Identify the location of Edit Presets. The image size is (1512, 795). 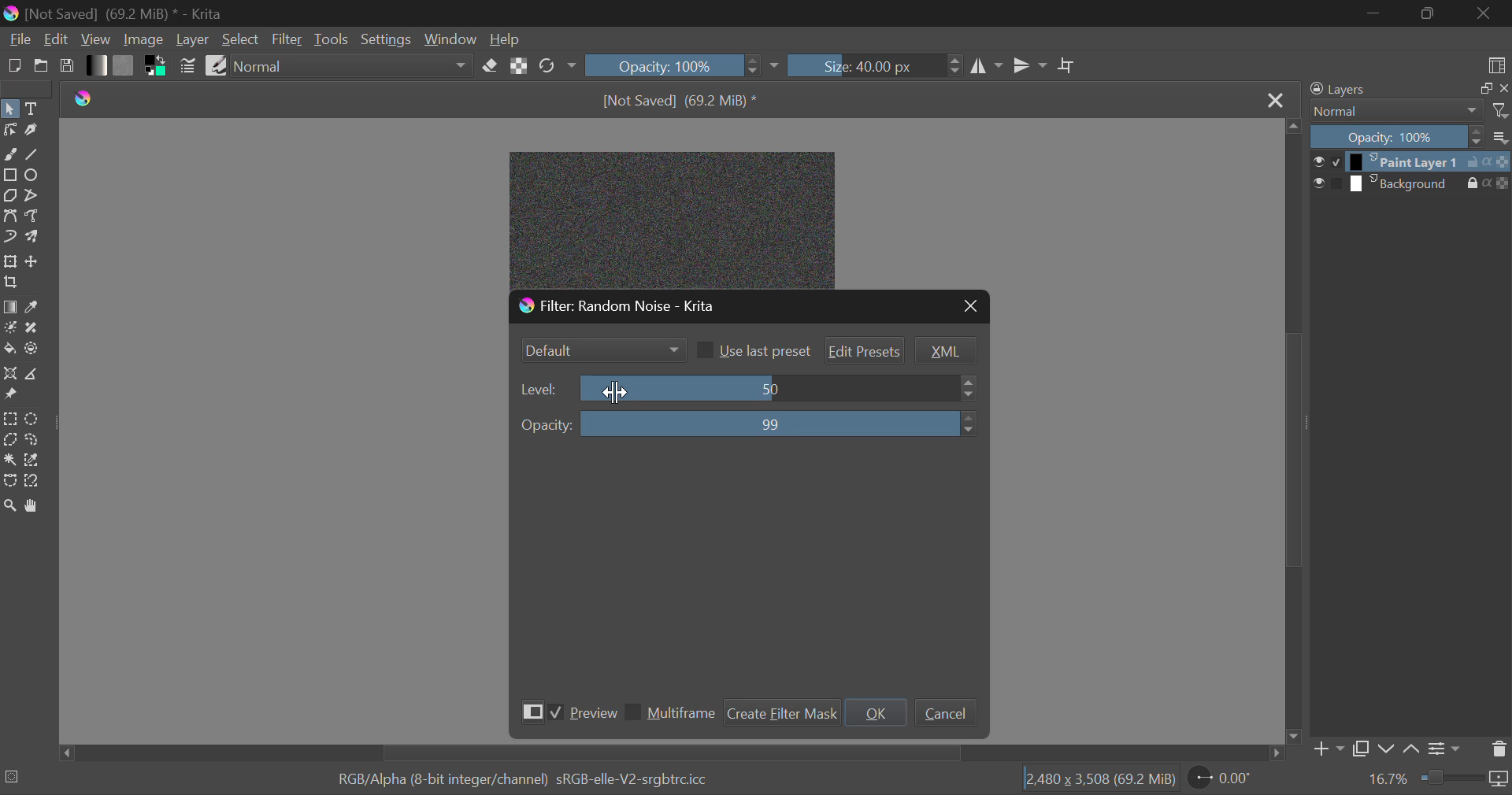
(865, 352).